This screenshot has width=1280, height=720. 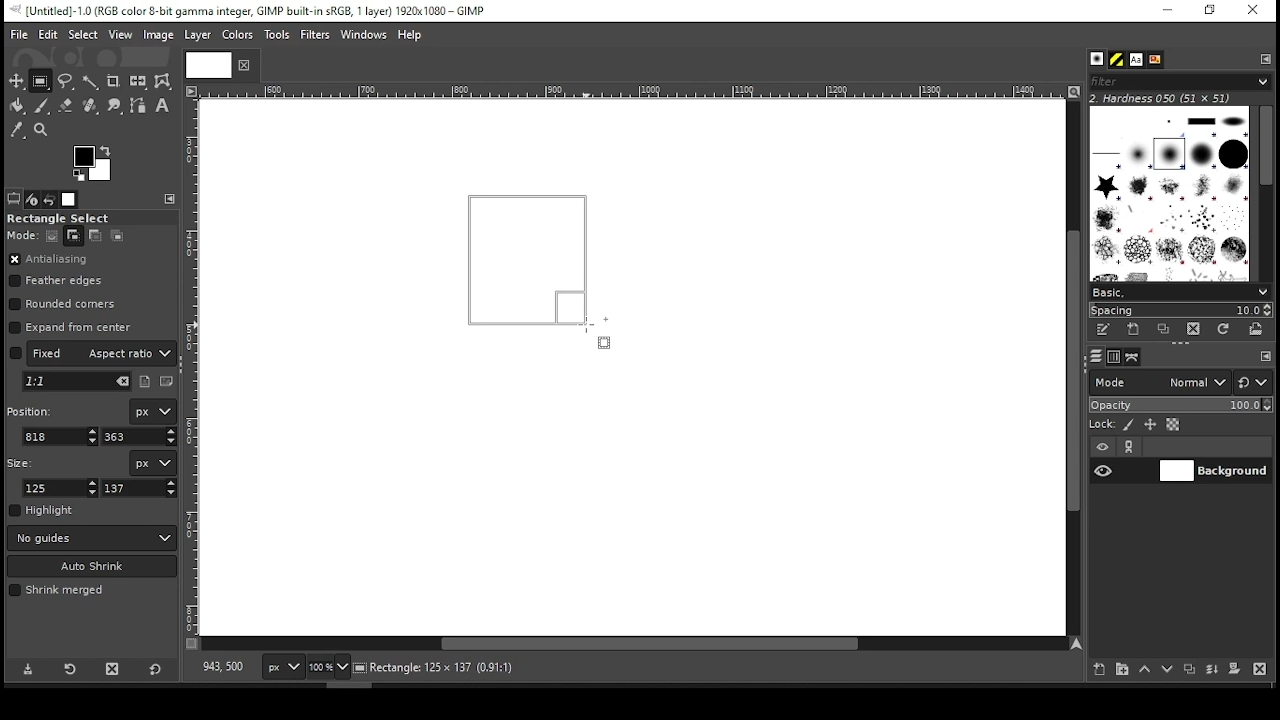 I want to click on units, so click(x=152, y=463).